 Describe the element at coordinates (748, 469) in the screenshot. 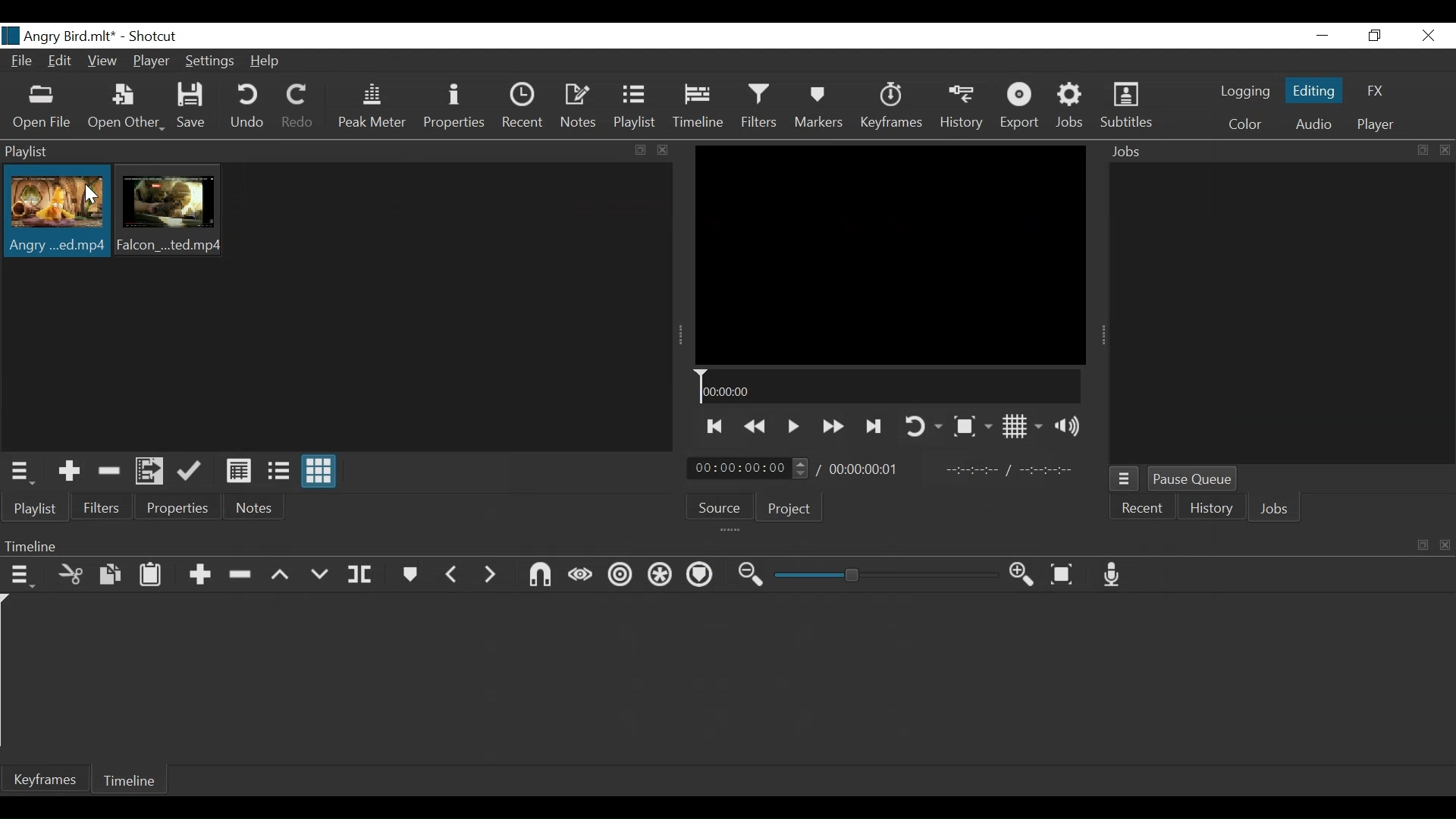

I see `Current Duration` at that location.